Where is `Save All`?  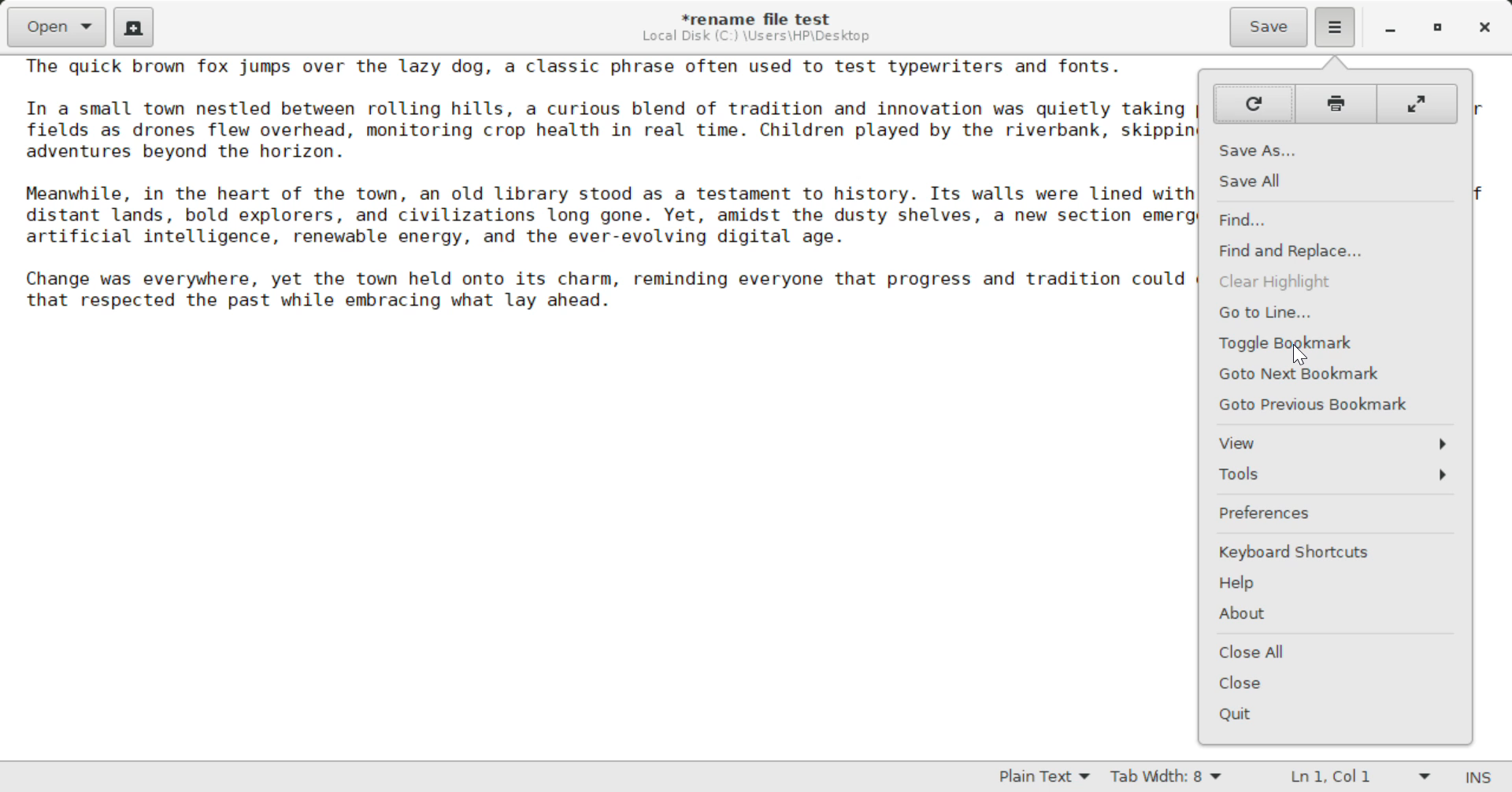
Save All is located at coordinates (1336, 180).